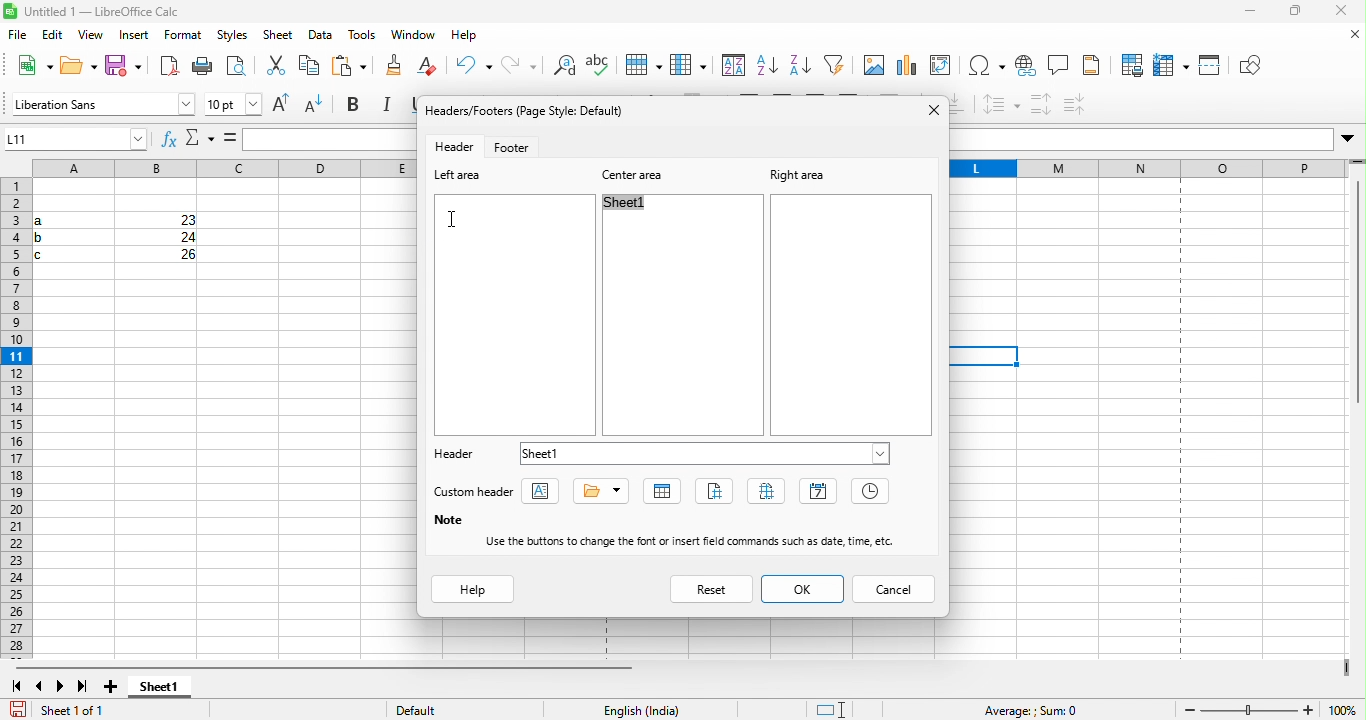 The image size is (1366, 720). What do you see at coordinates (928, 113) in the screenshot?
I see `close` at bounding box center [928, 113].